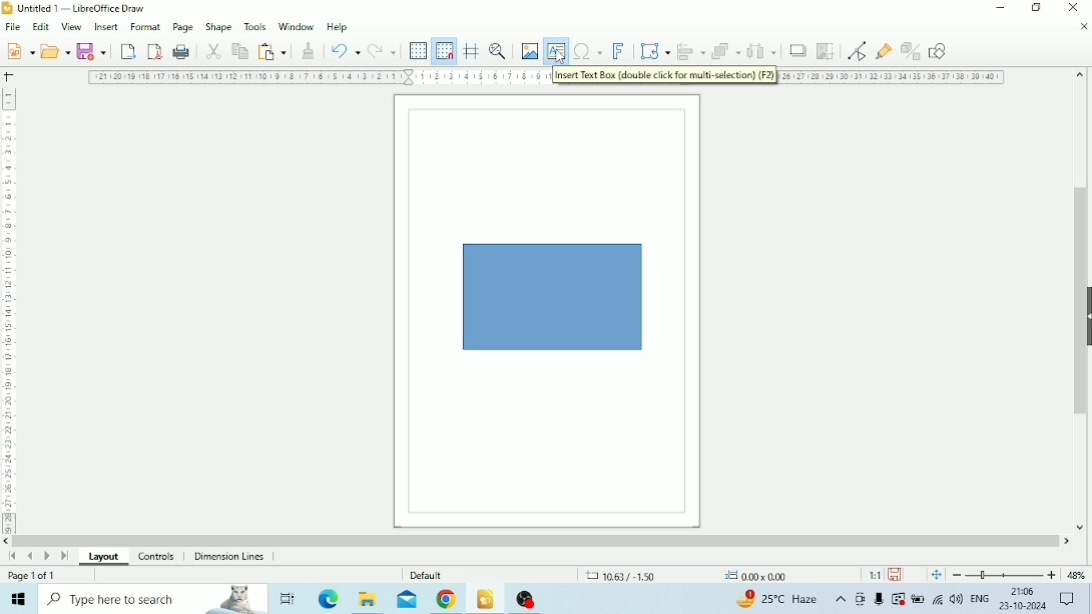 The height and width of the screenshot is (614, 1092). I want to click on Export, so click(128, 52).